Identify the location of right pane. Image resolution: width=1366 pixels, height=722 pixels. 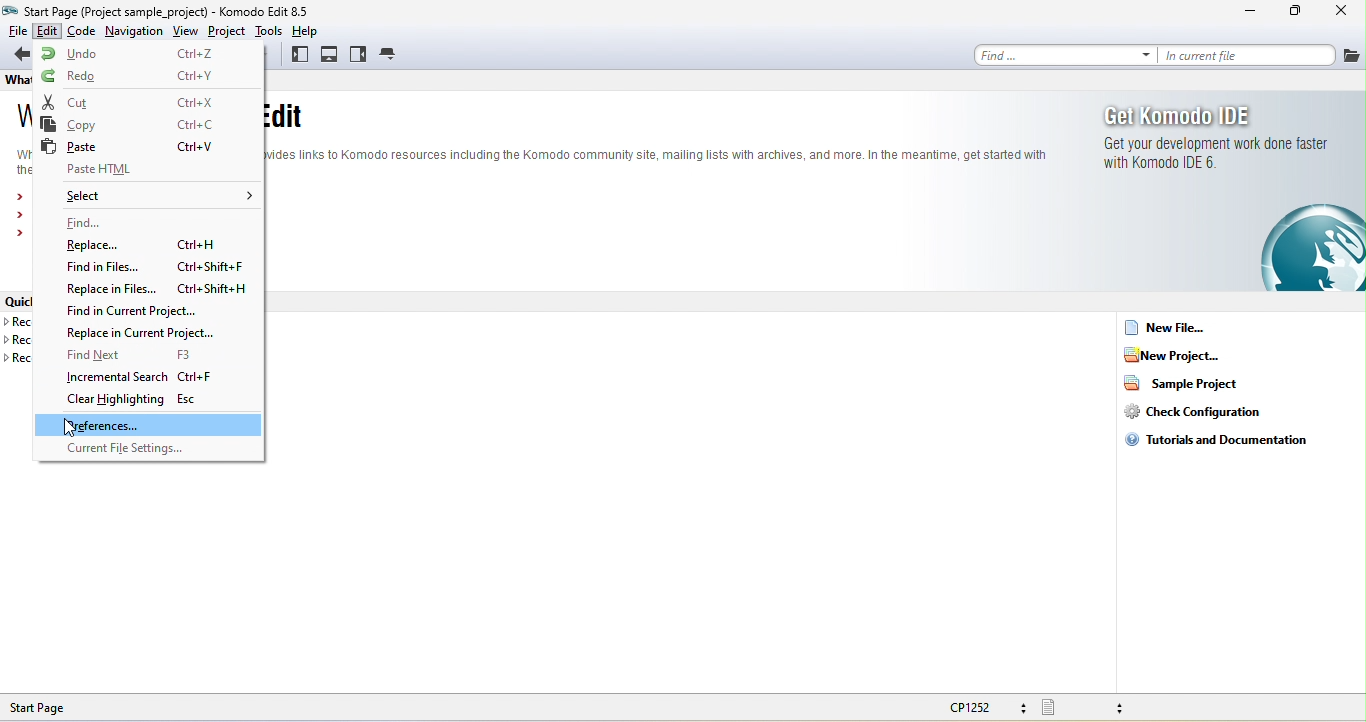
(359, 55).